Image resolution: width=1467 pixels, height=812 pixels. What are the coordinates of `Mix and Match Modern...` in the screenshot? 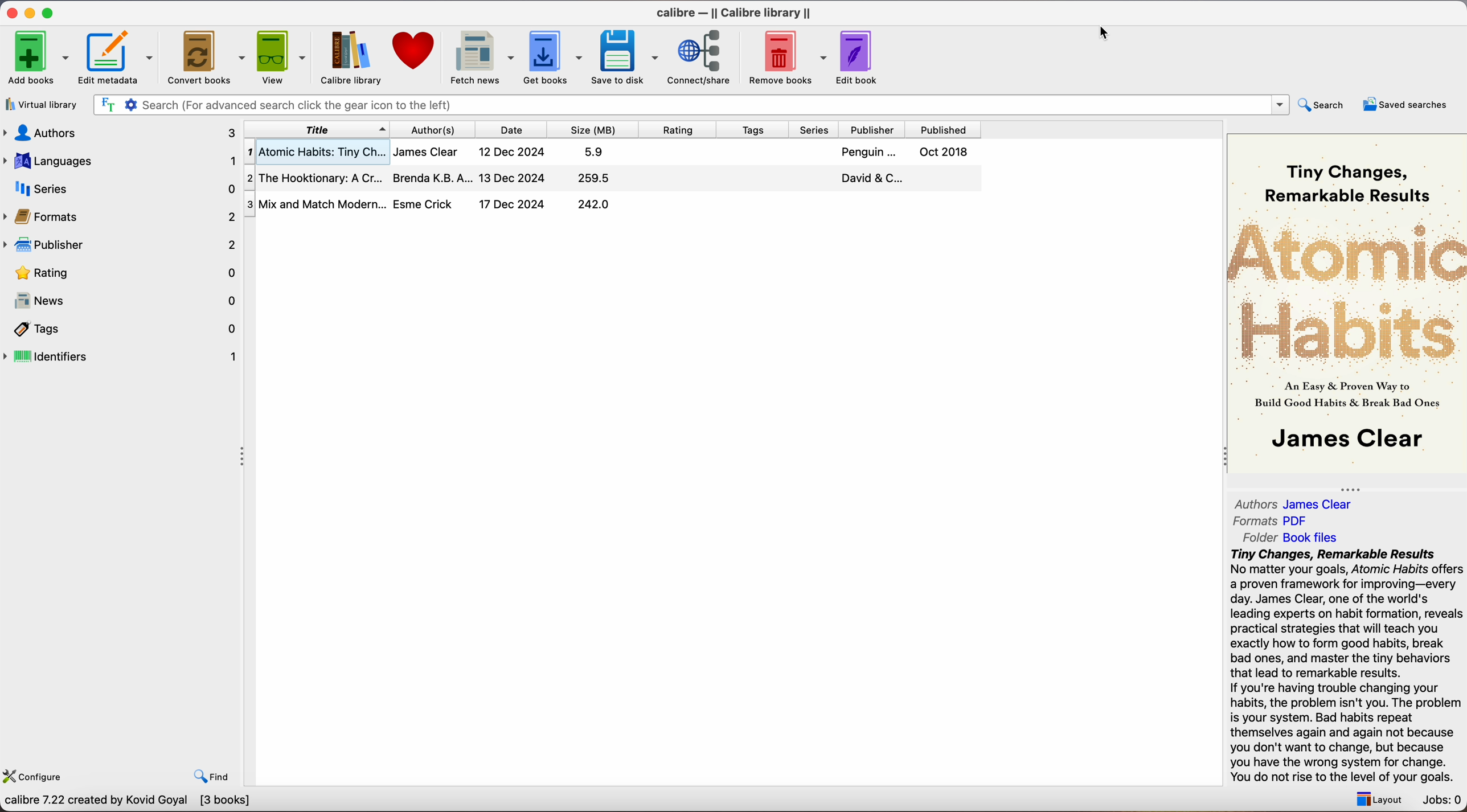 It's located at (433, 205).